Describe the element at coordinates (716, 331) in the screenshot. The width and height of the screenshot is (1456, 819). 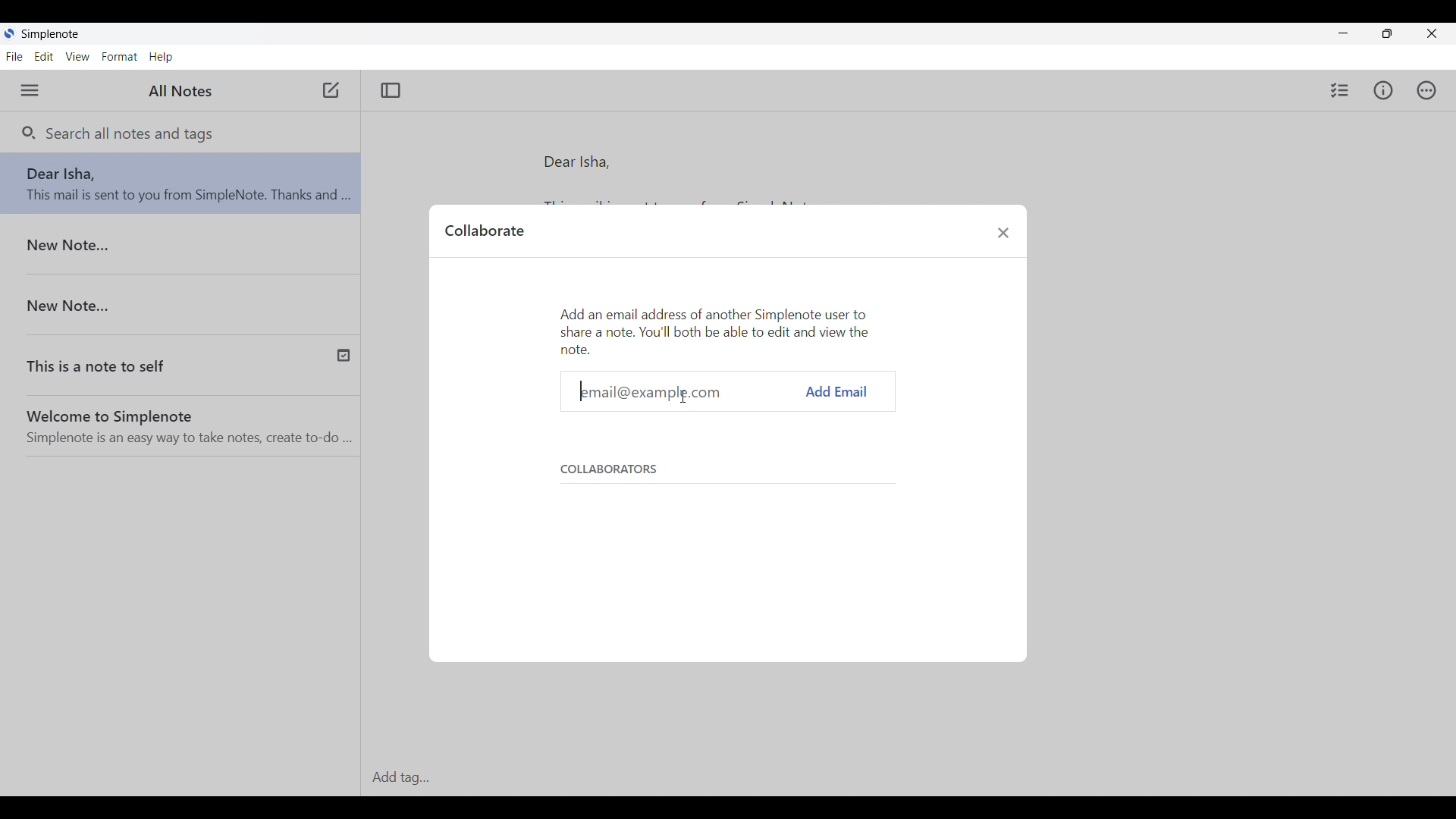
I see `Description of current window` at that location.